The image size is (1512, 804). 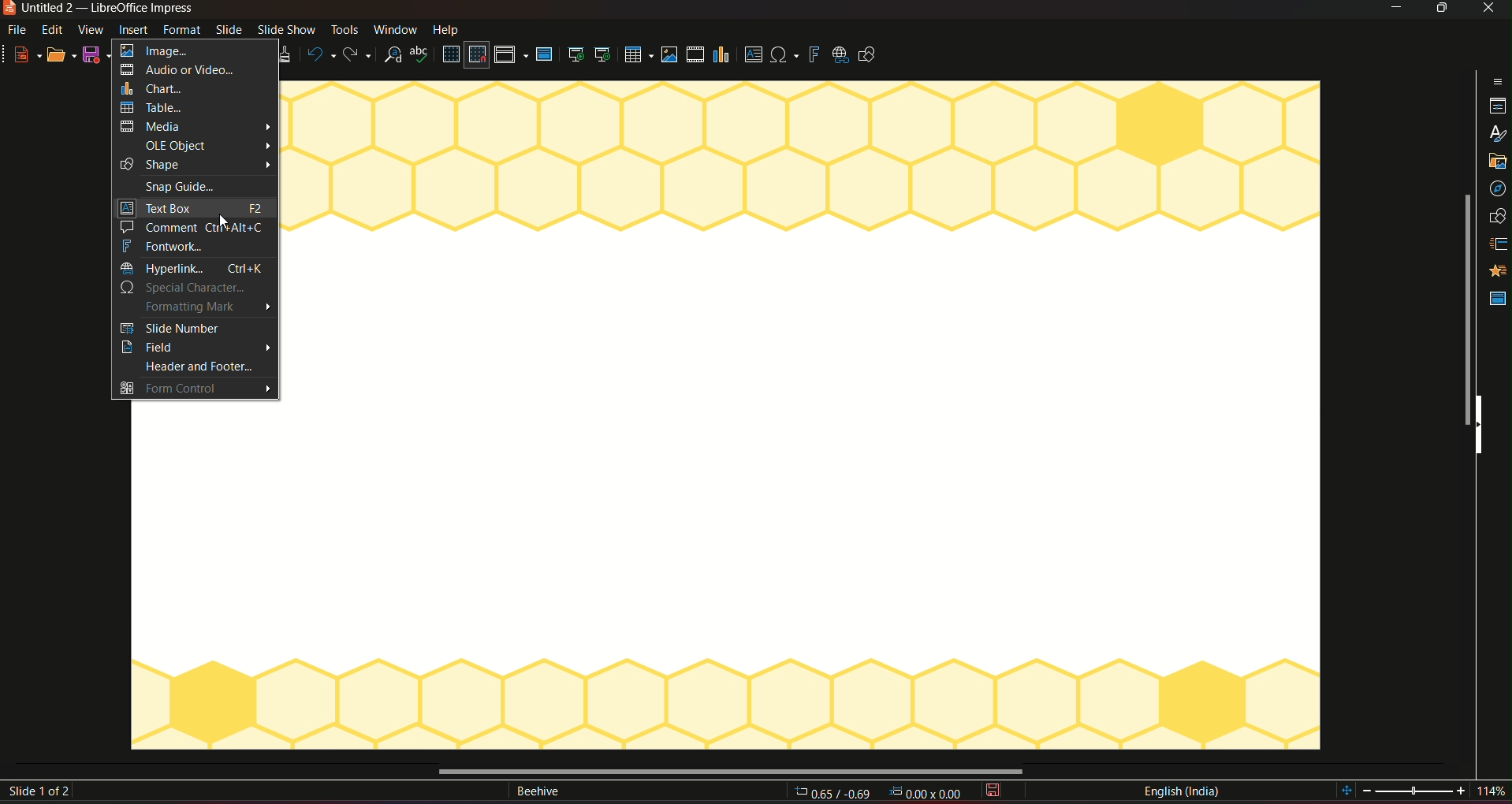 What do you see at coordinates (190, 69) in the screenshot?
I see `audio and video` at bounding box center [190, 69].